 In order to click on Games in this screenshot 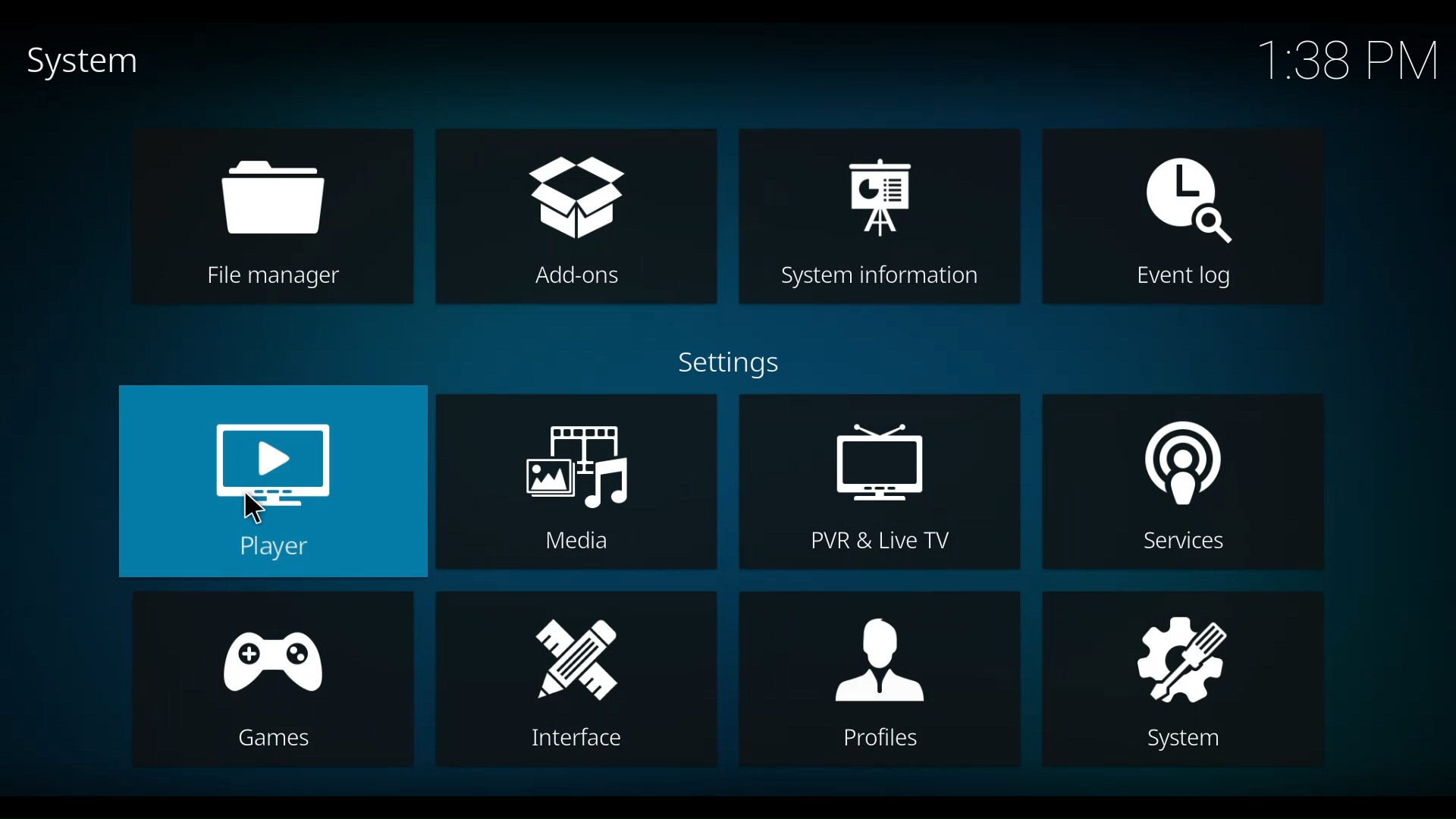, I will do `click(269, 679)`.